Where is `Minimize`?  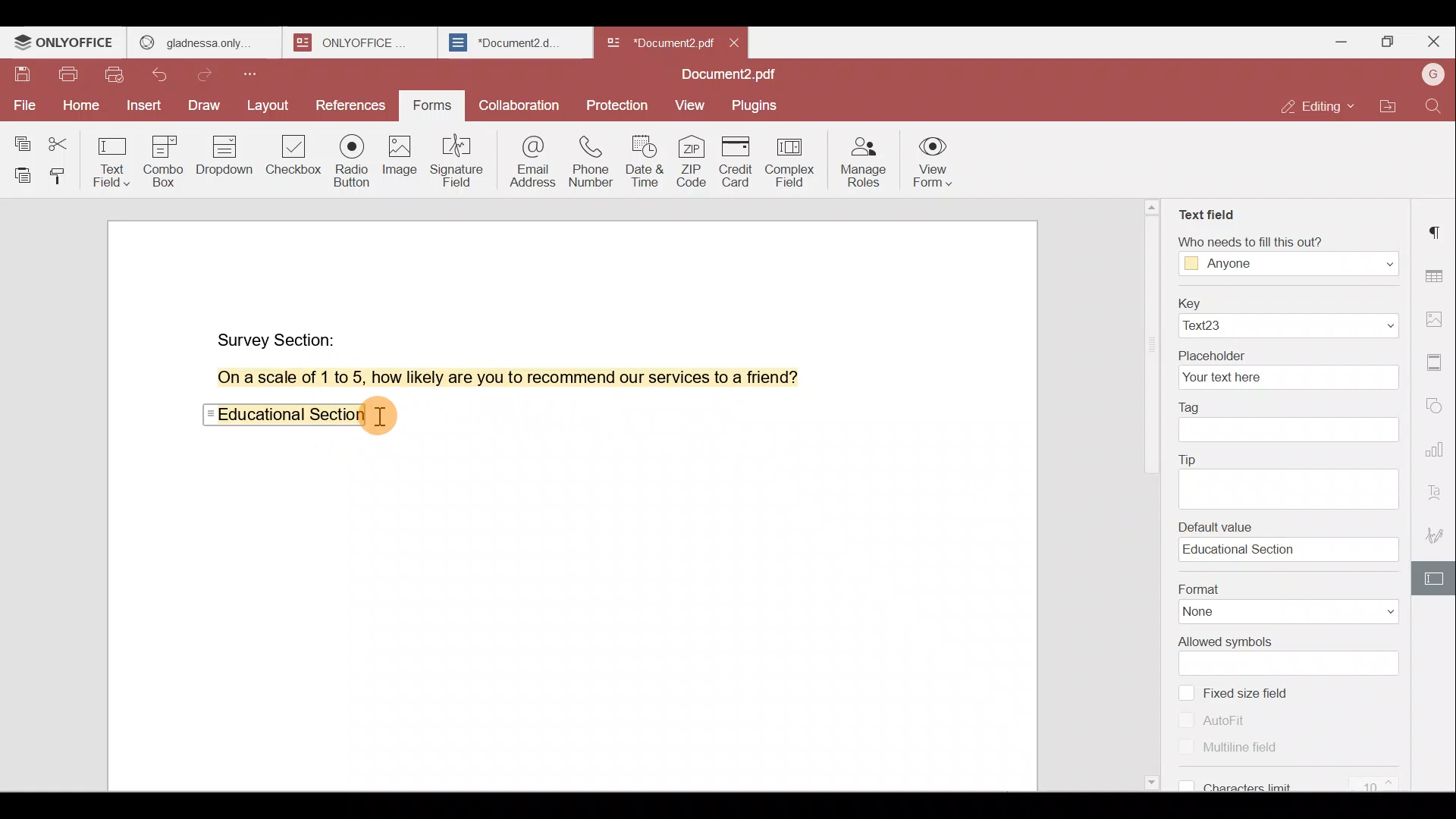 Minimize is located at coordinates (1337, 40).